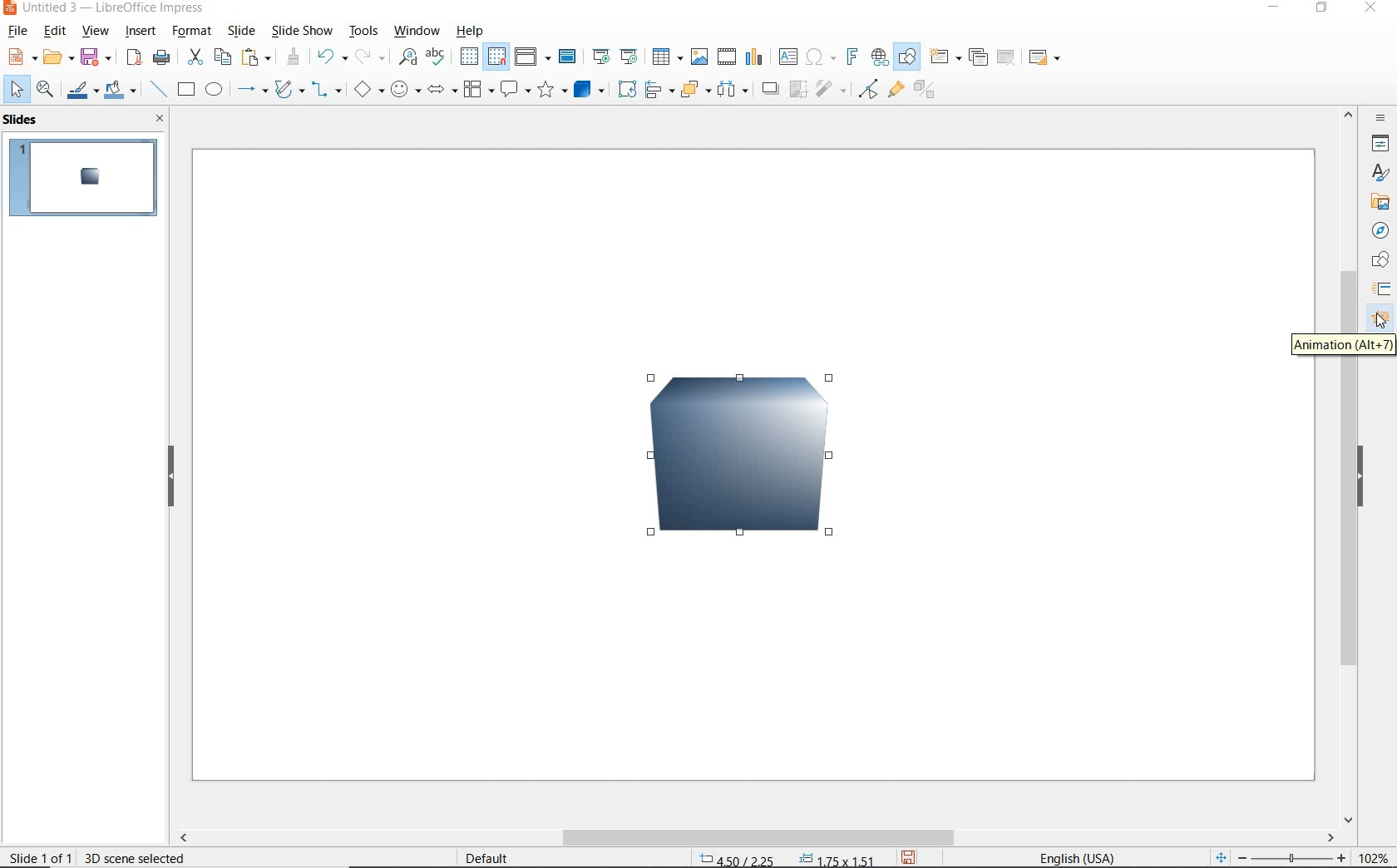 The image size is (1397, 868). Describe the element at coordinates (87, 179) in the screenshot. I see `slide1` at that location.